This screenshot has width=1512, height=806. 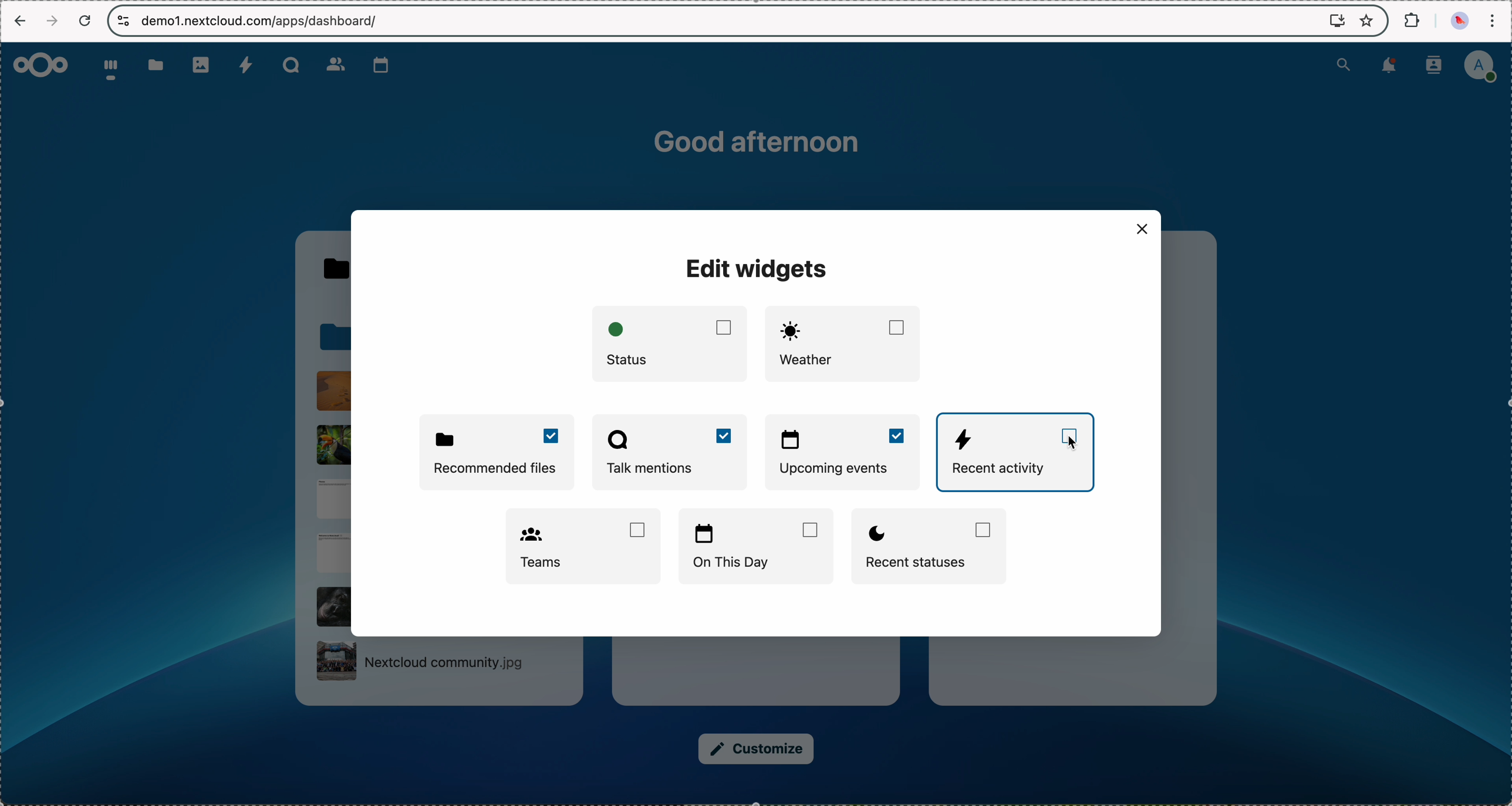 I want to click on recent statuses, so click(x=933, y=547).